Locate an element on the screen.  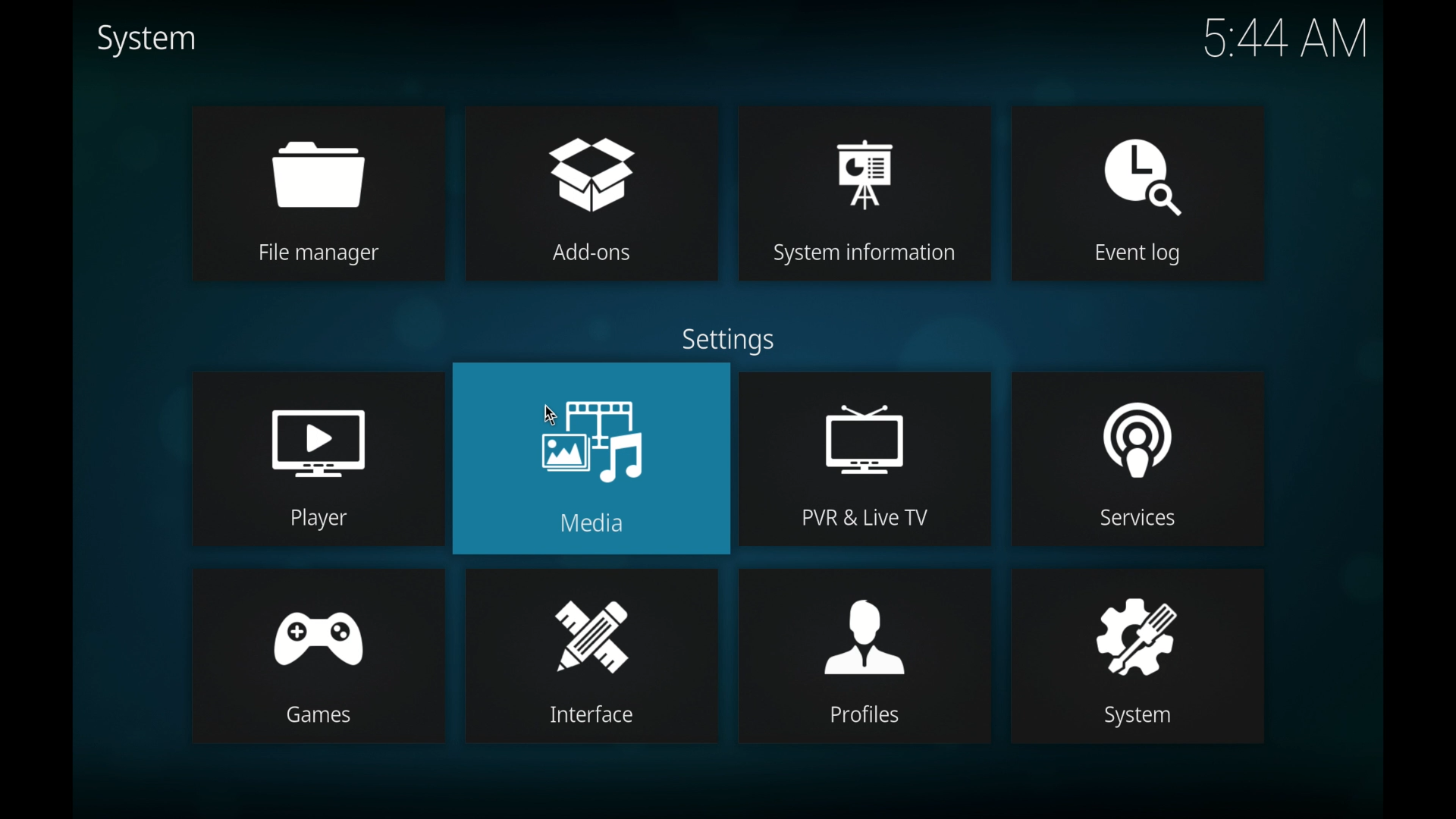
pvr and live tv is located at coordinates (866, 457).